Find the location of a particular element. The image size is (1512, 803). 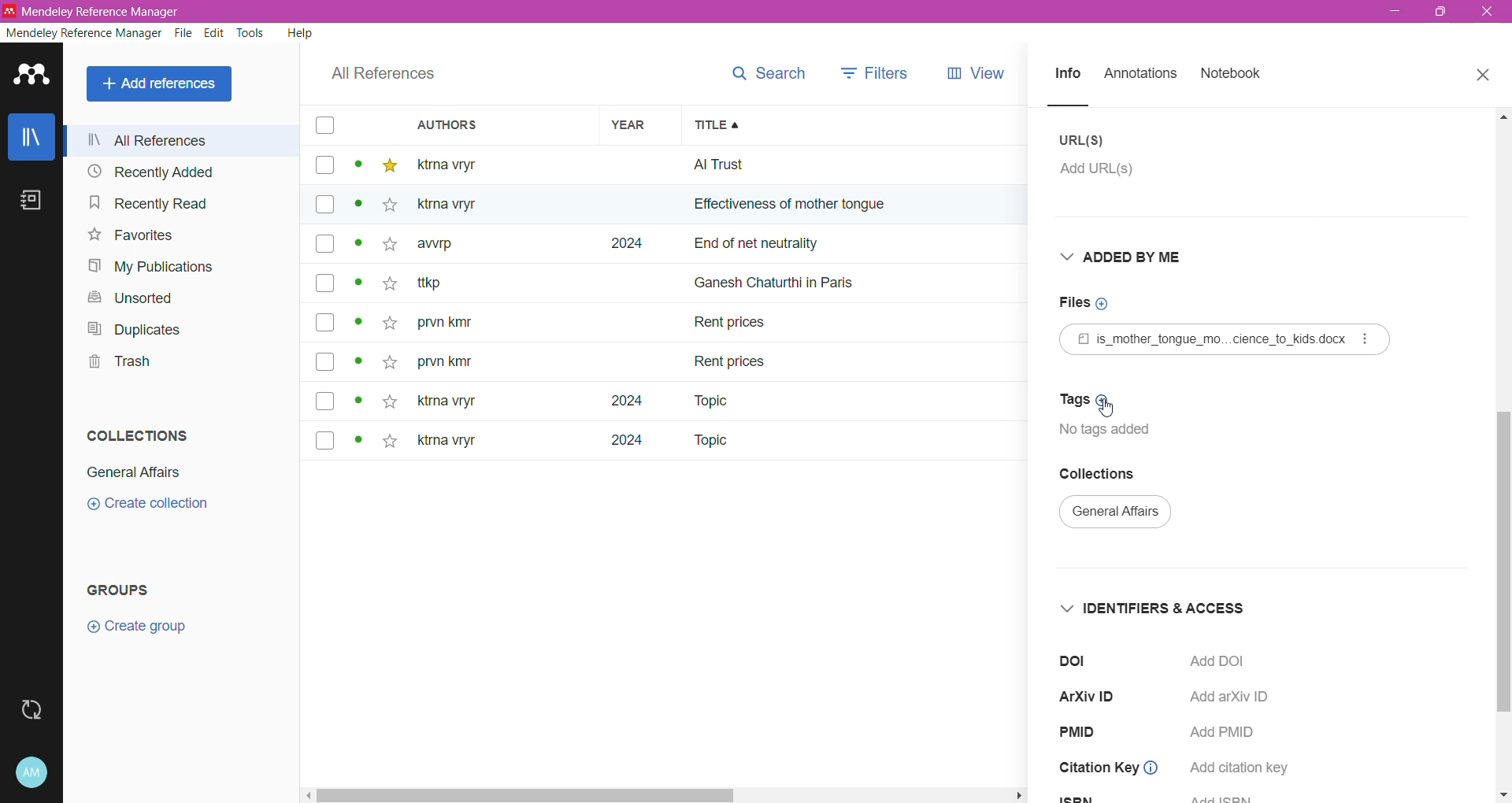

Unsorted is located at coordinates (136, 299).